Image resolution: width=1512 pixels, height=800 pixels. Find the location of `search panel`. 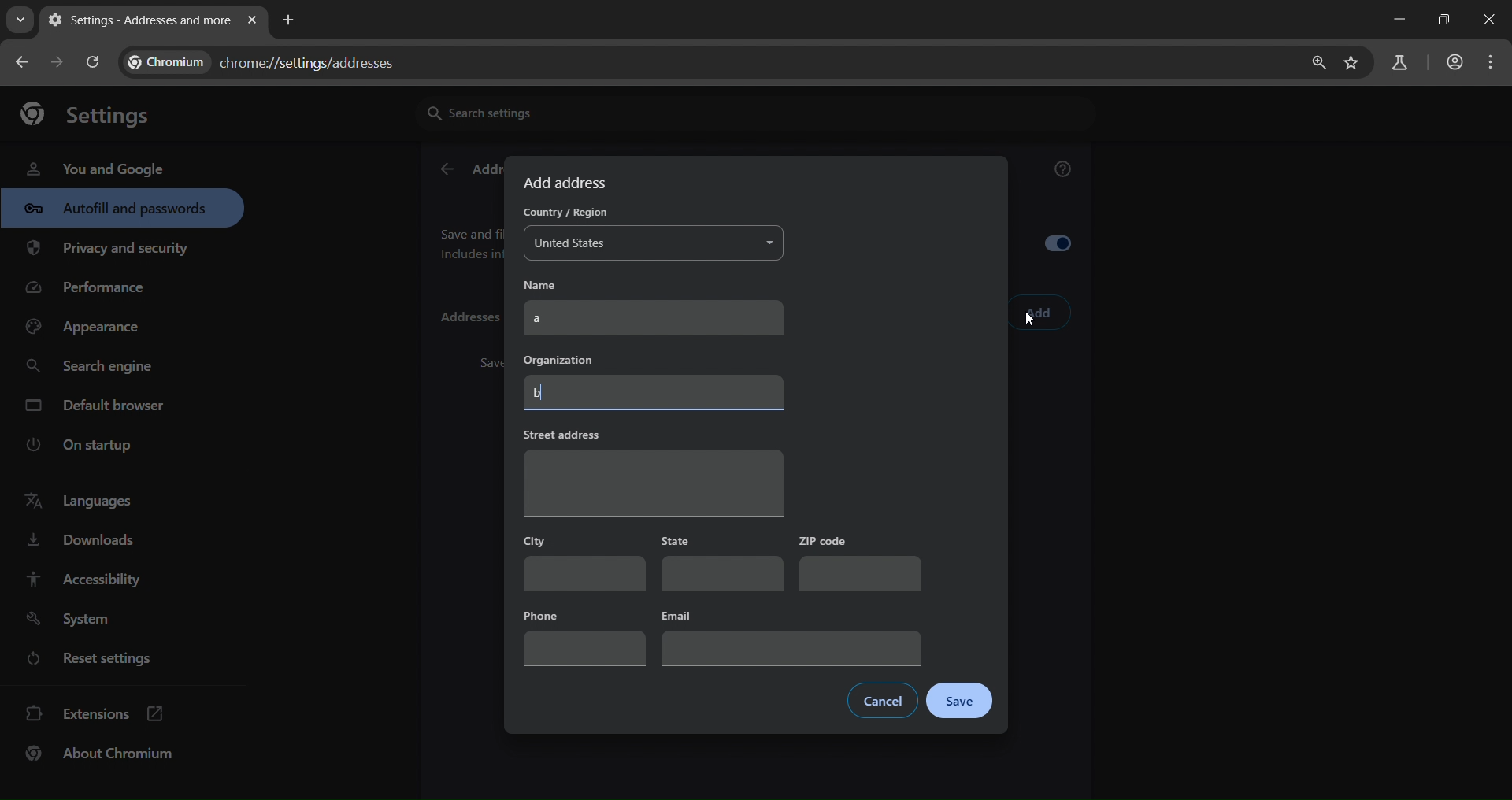

search panel is located at coordinates (1398, 64).